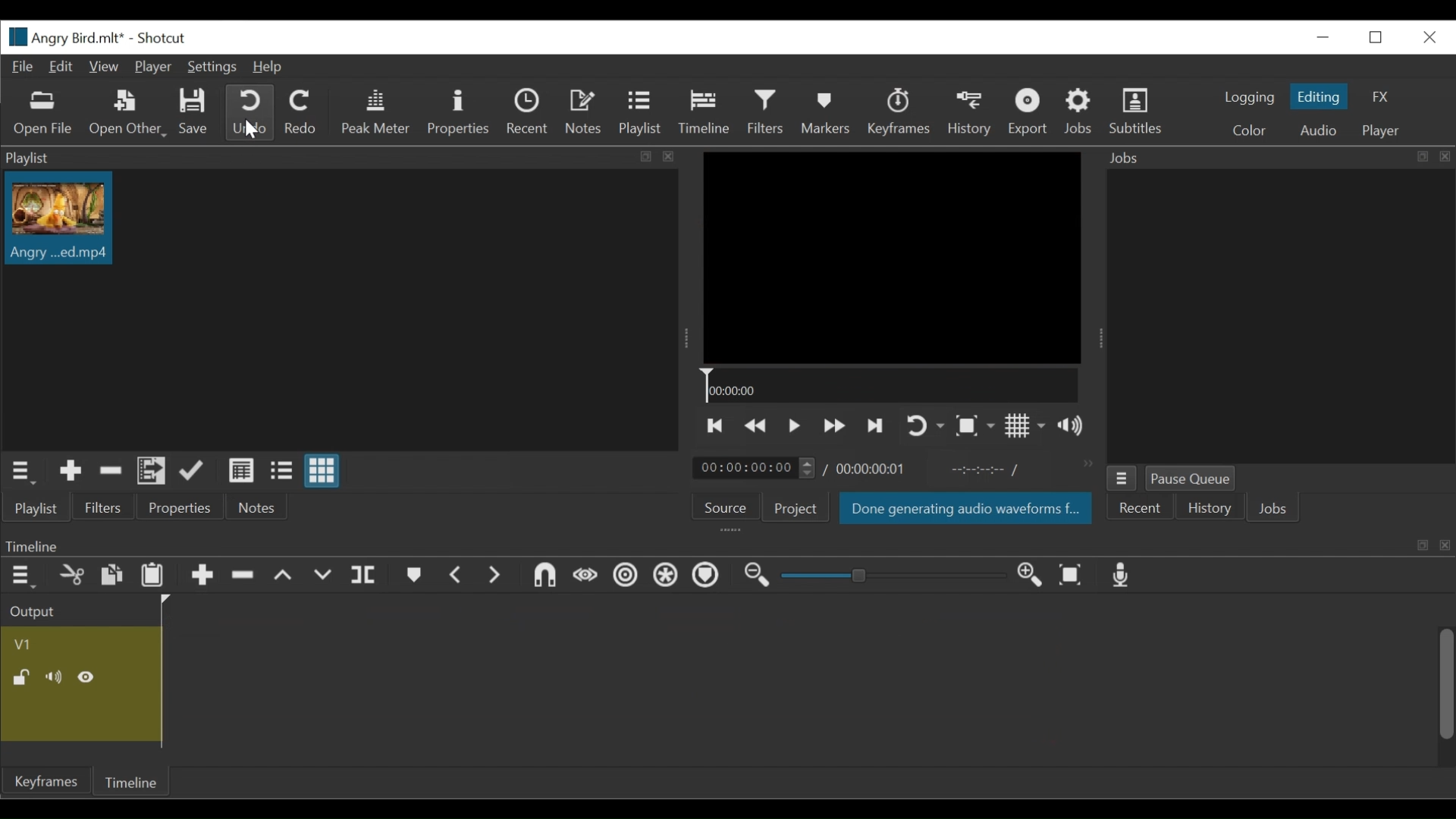 The width and height of the screenshot is (1456, 819). Describe the element at coordinates (20, 675) in the screenshot. I see `(un)lock Track` at that location.